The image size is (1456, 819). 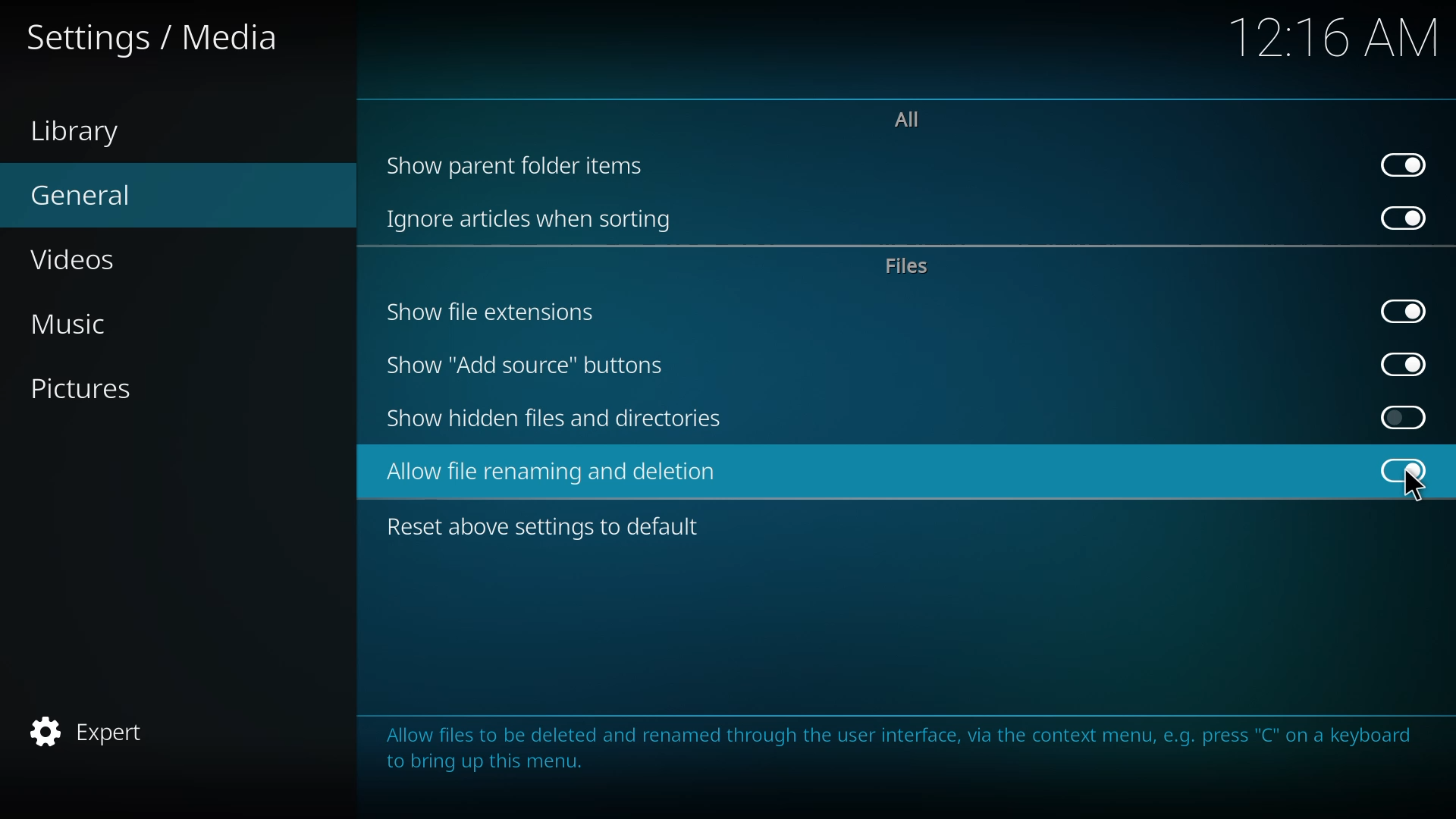 I want to click on enabled, so click(x=1404, y=311).